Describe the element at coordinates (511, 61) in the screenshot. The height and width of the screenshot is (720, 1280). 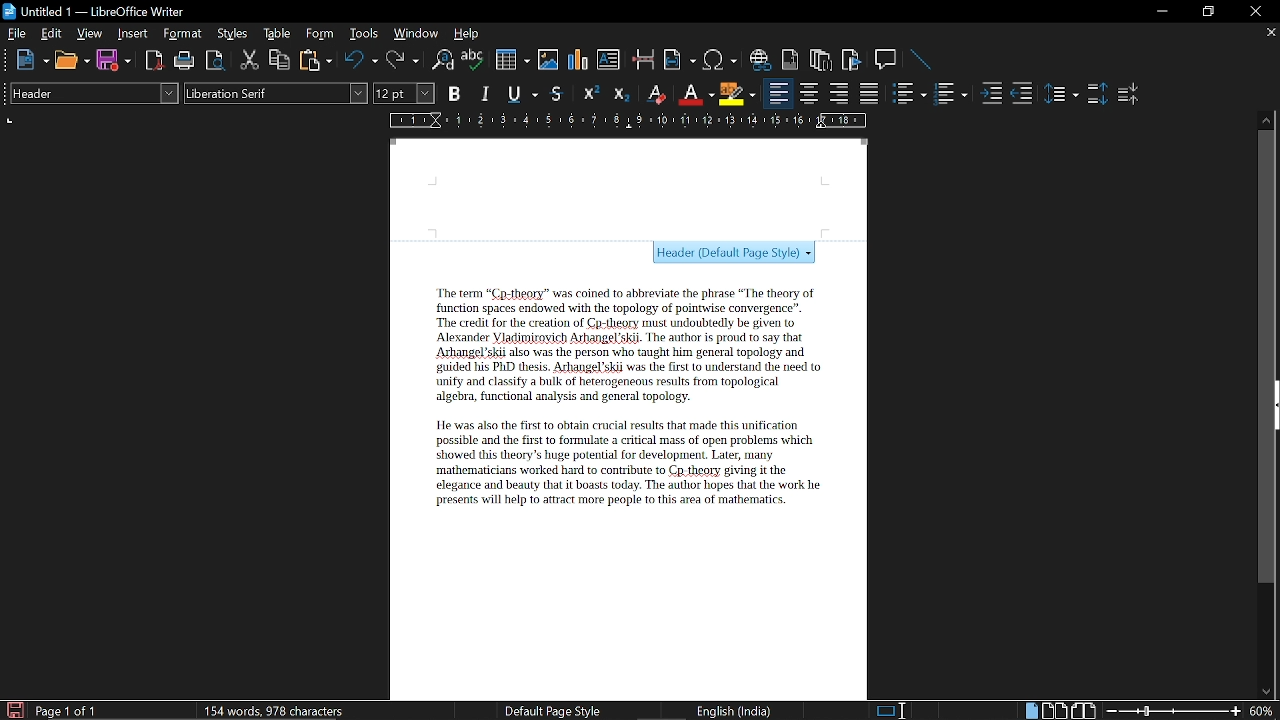
I see `Insert table` at that location.